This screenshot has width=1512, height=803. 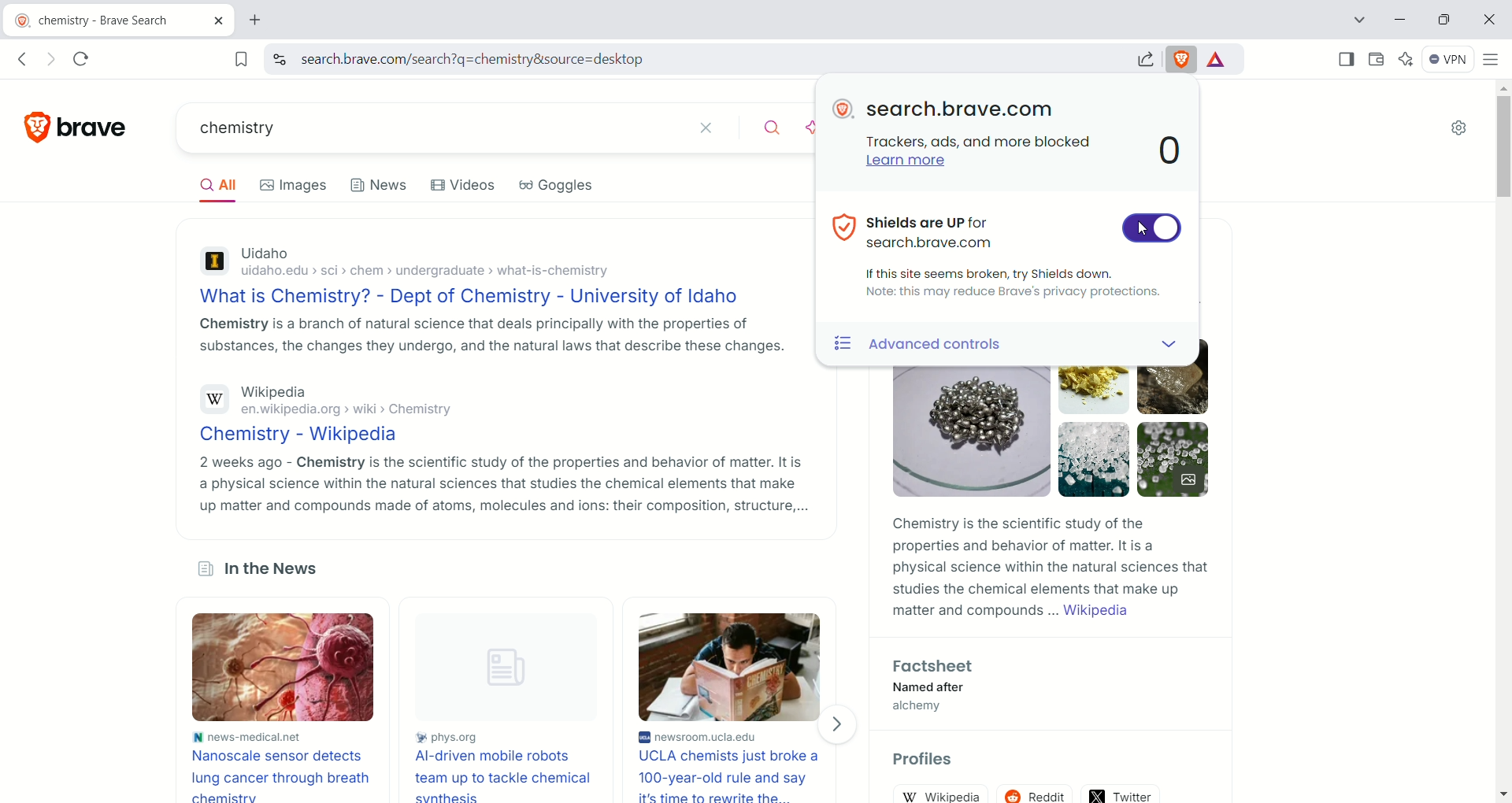 What do you see at coordinates (732, 665) in the screenshot?
I see `image of a person reading a book` at bounding box center [732, 665].